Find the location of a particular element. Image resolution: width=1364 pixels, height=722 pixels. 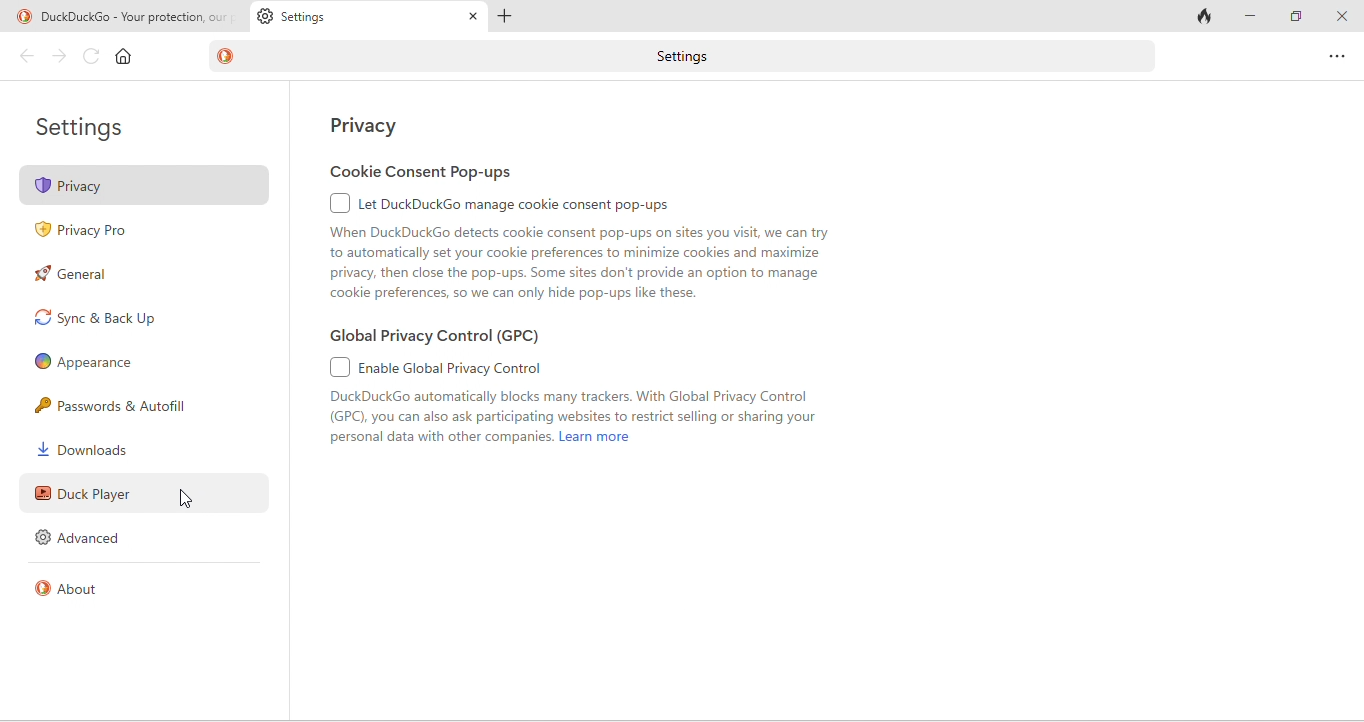

advanced is located at coordinates (85, 538).